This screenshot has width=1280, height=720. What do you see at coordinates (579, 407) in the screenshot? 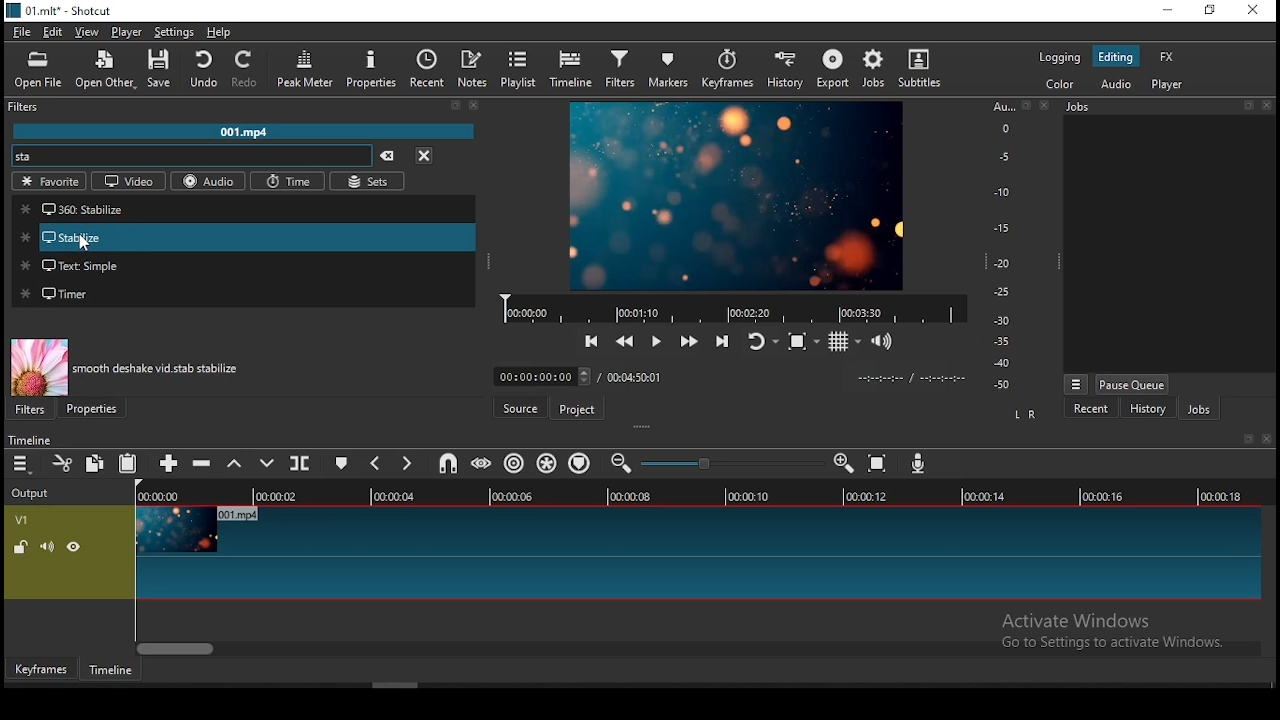
I see `project` at bounding box center [579, 407].